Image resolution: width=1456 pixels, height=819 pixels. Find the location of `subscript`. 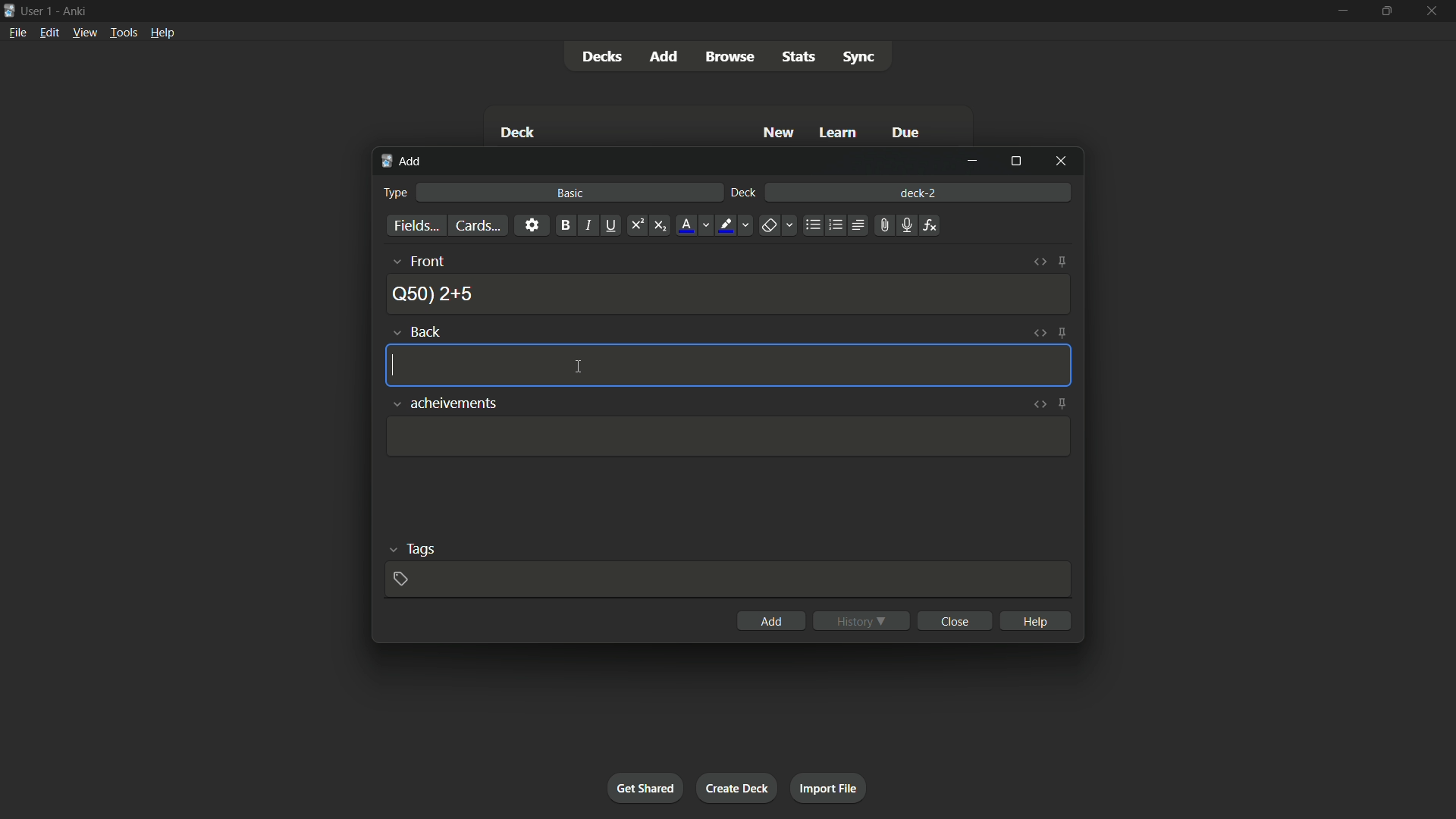

subscript is located at coordinates (661, 225).